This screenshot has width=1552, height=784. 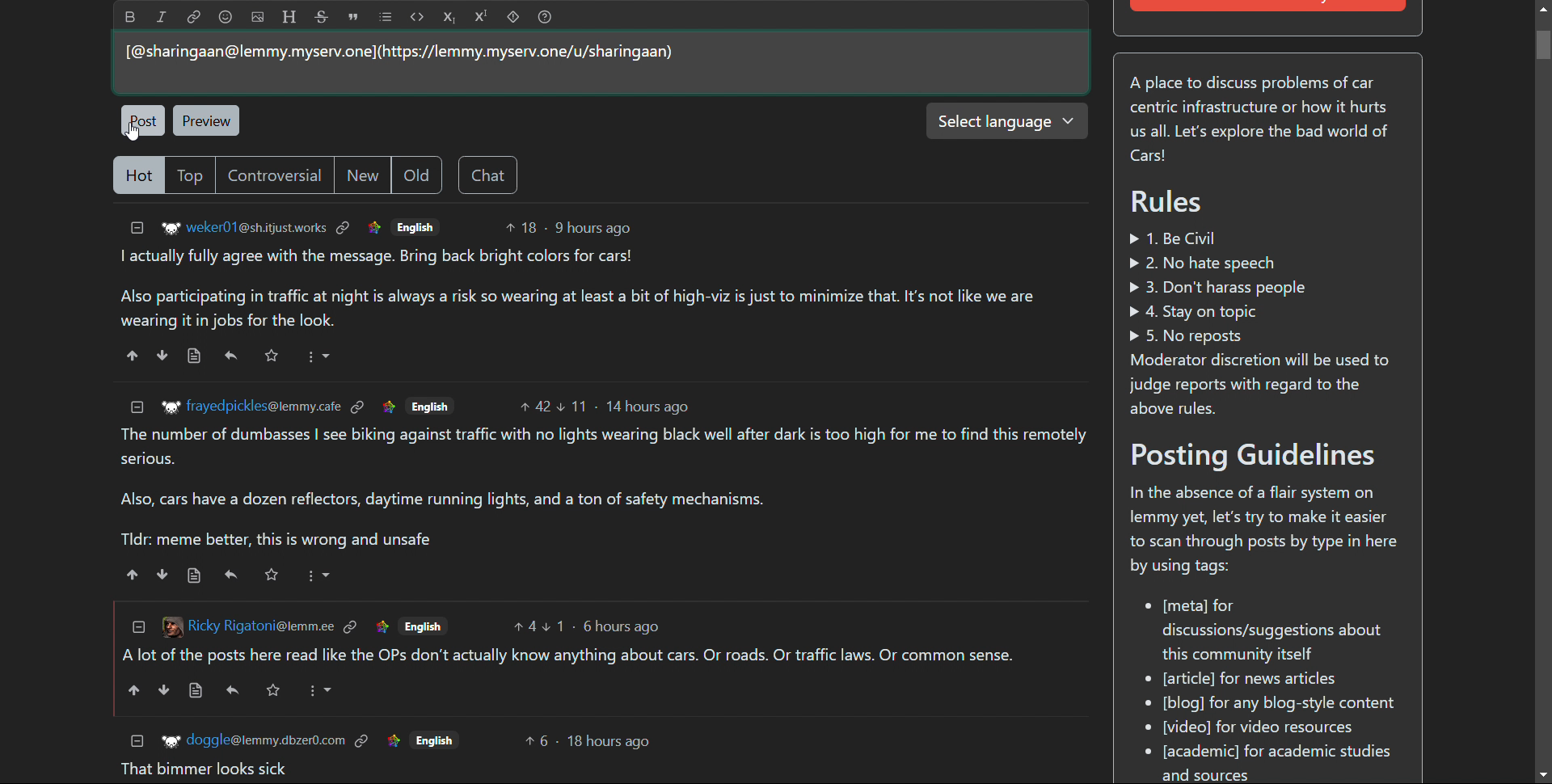 I want to click on collapse, so click(x=137, y=740).